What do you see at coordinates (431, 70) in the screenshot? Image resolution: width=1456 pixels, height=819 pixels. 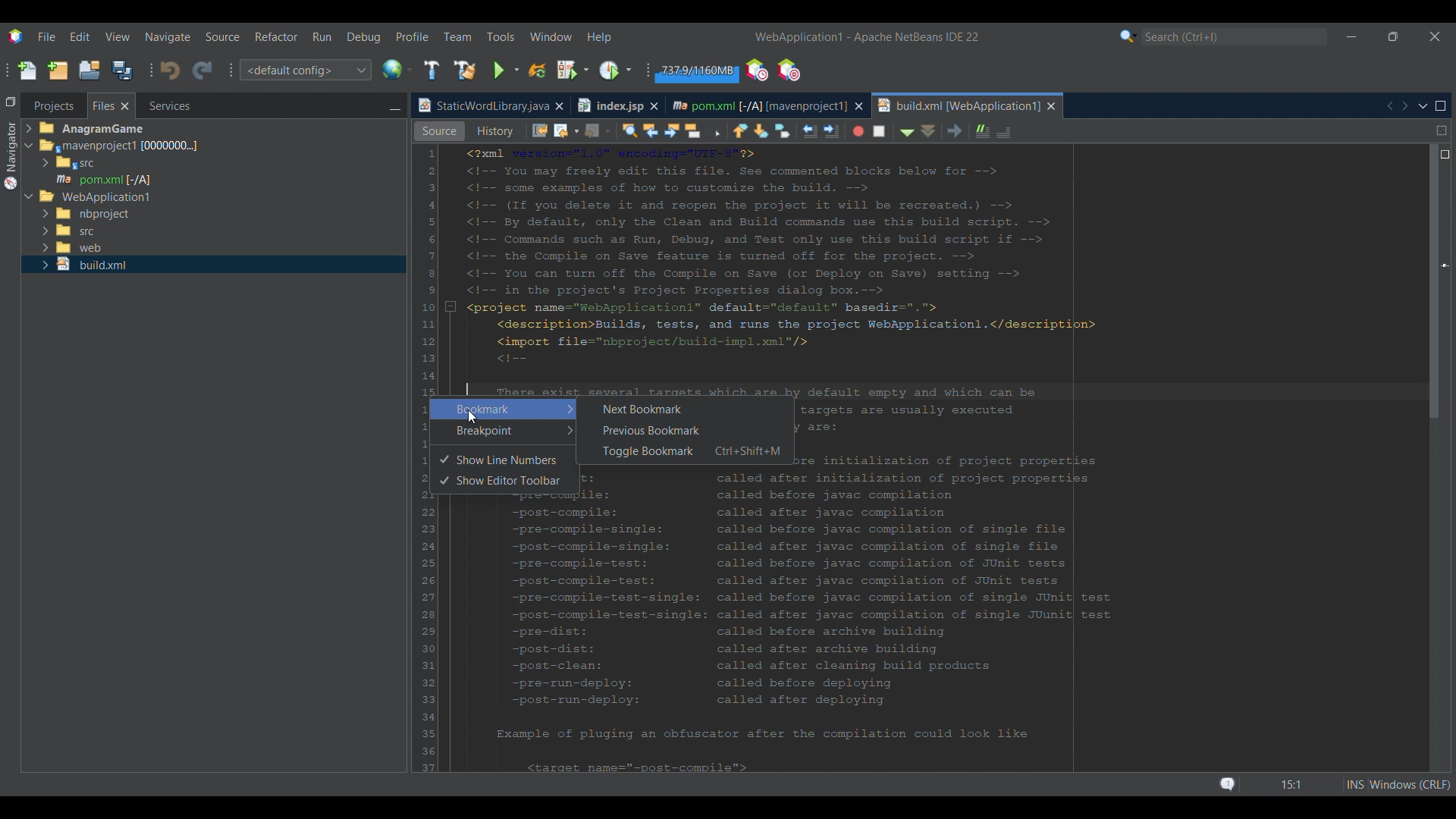 I see `Build main project` at bounding box center [431, 70].